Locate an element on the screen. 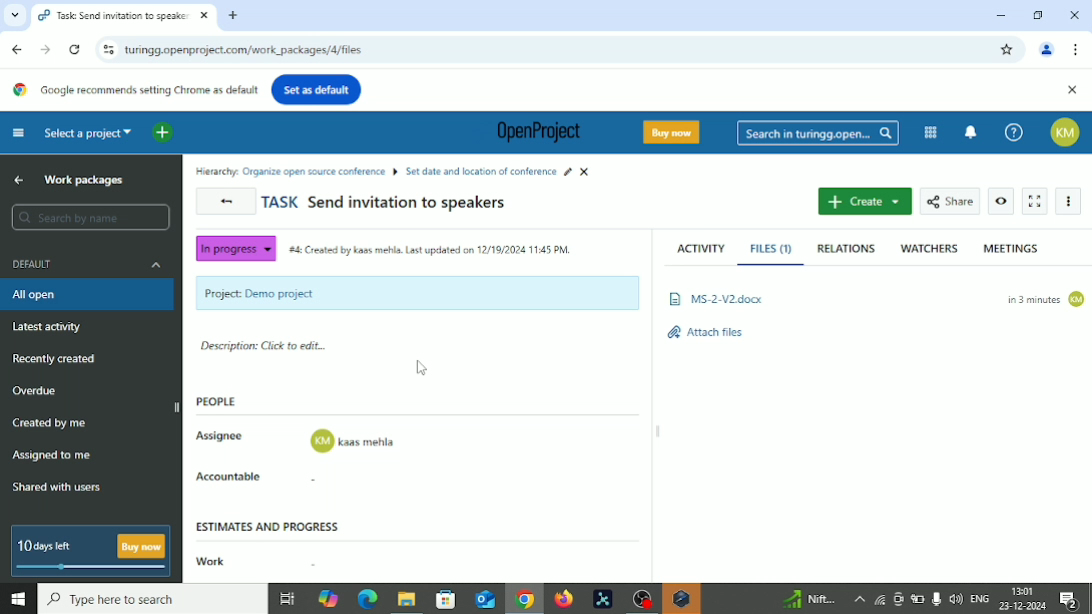 Image resolution: width=1092 pixels, height=614 pixels. File explorer is located at coordinates (405, 601).